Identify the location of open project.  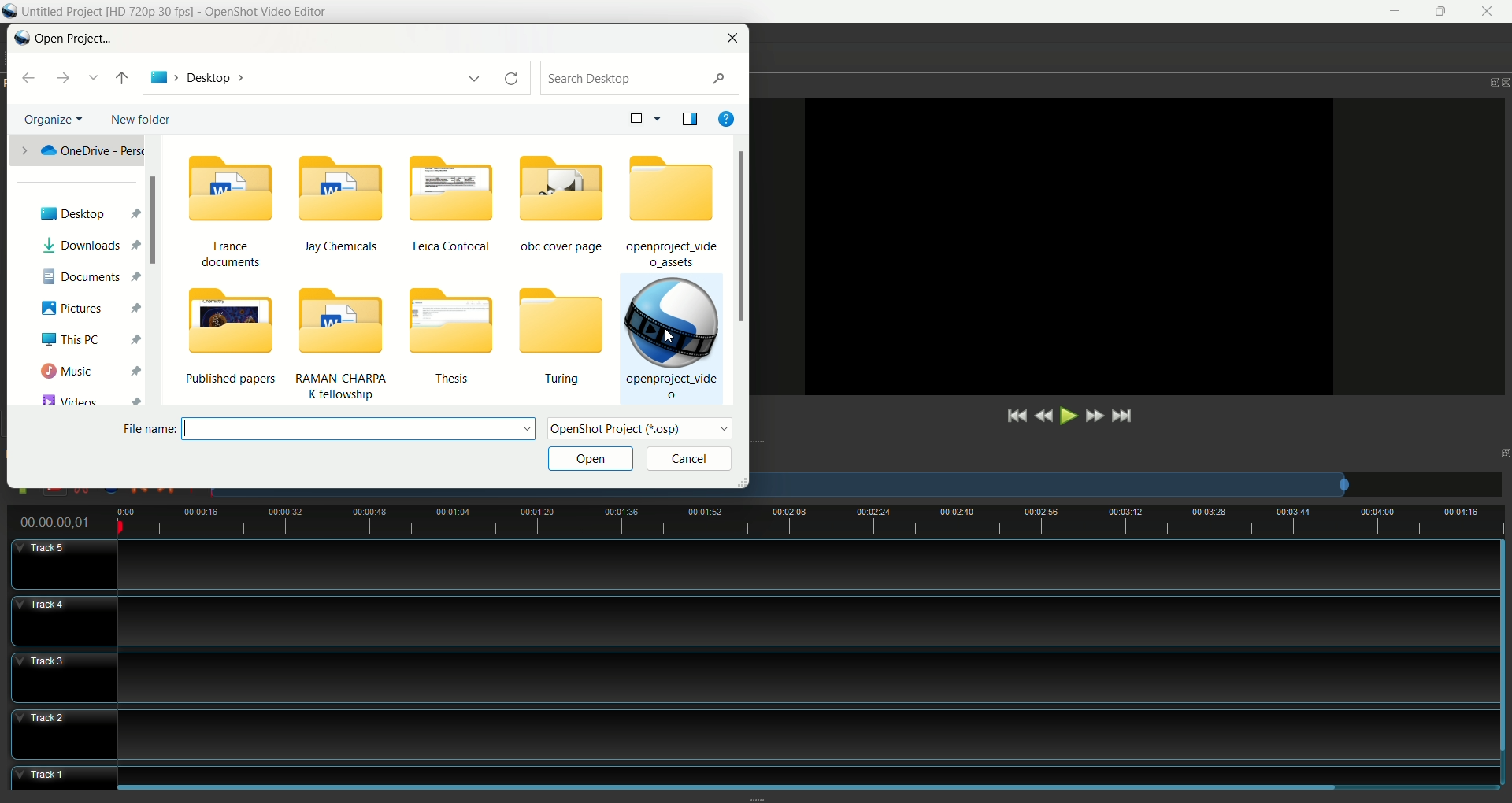
(72, 40).